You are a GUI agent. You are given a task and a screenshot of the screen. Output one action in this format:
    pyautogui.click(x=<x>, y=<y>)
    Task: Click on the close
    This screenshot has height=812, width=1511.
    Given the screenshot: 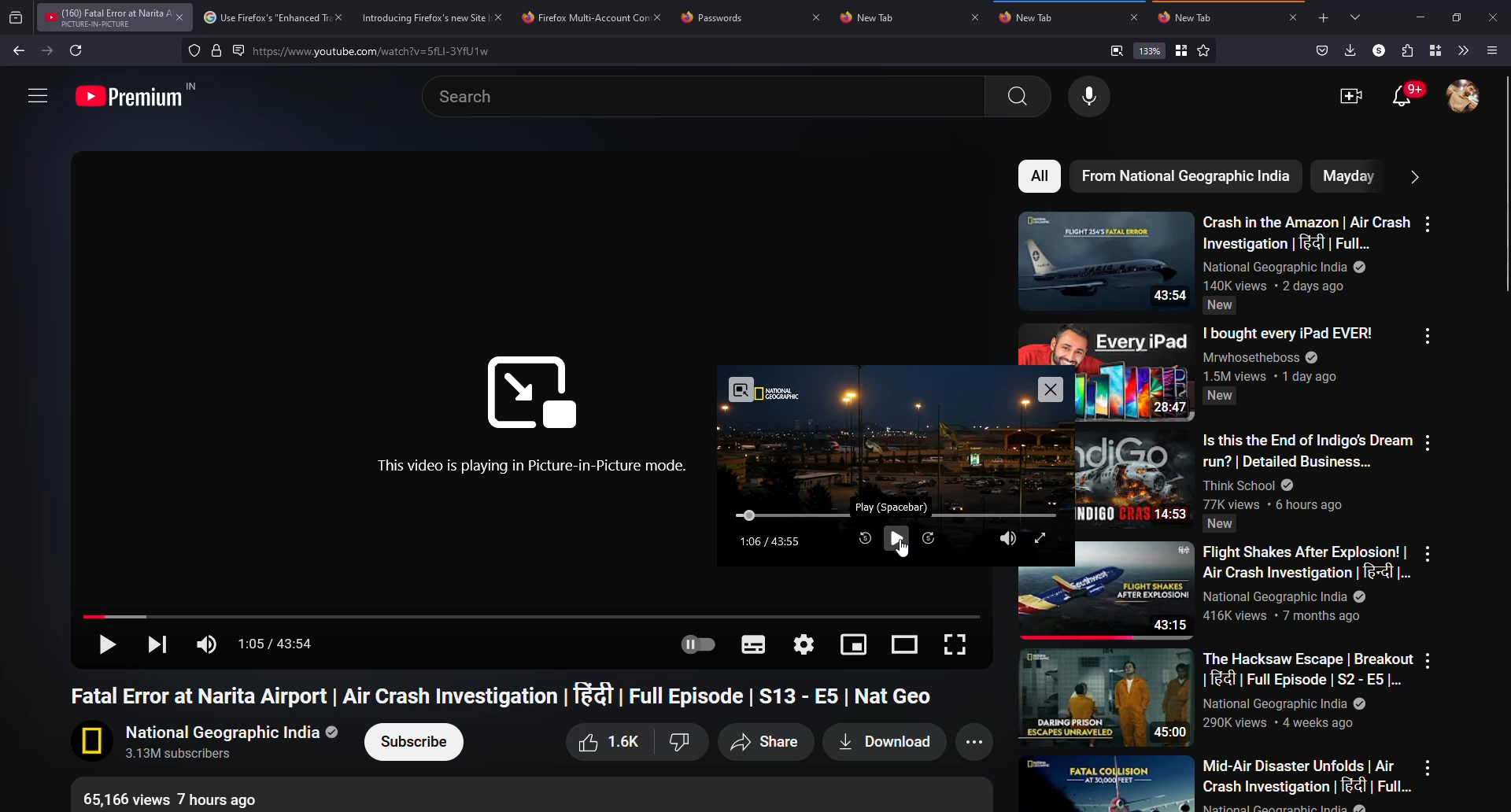 What is the action you would take?
    pyautogui.click(x=659, y=14)
    